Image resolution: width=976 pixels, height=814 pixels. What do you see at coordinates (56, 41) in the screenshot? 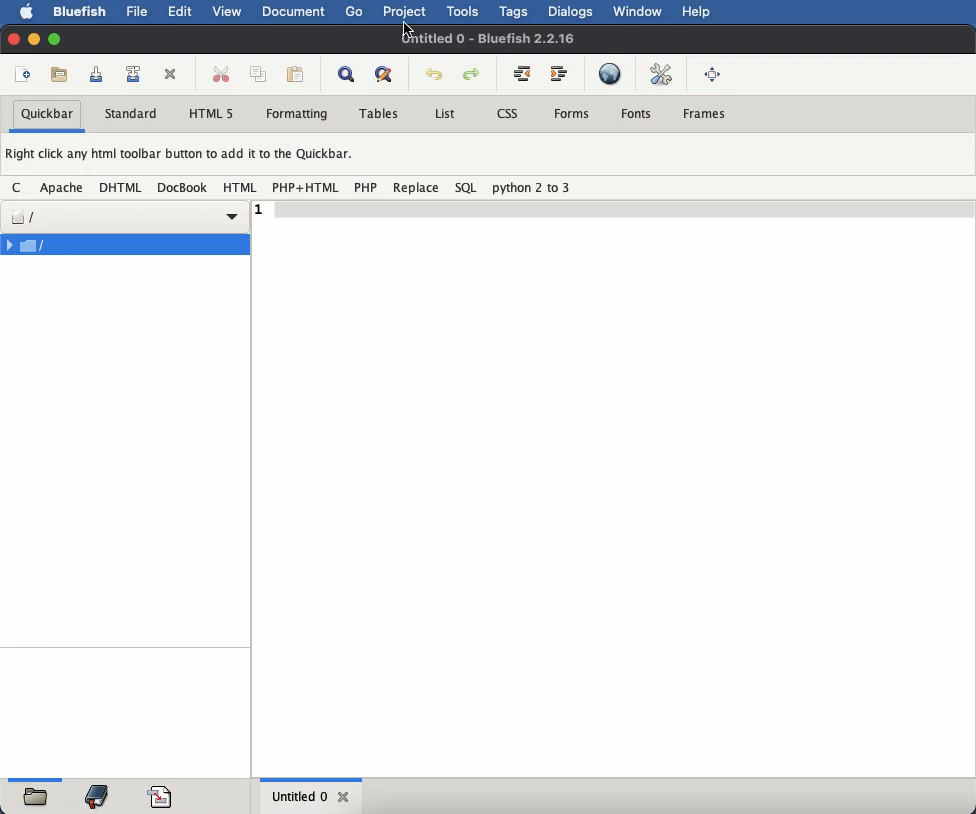
I see `maximize` at bounding box center [56, 41].